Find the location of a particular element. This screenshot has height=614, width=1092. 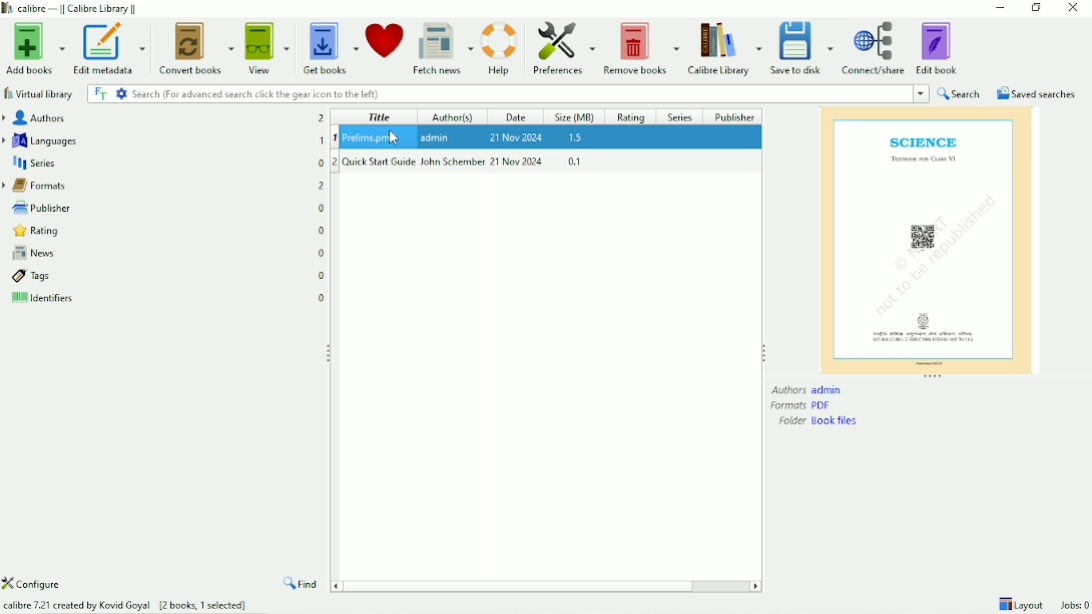

Virtual library is located at coordinates (39, 93).